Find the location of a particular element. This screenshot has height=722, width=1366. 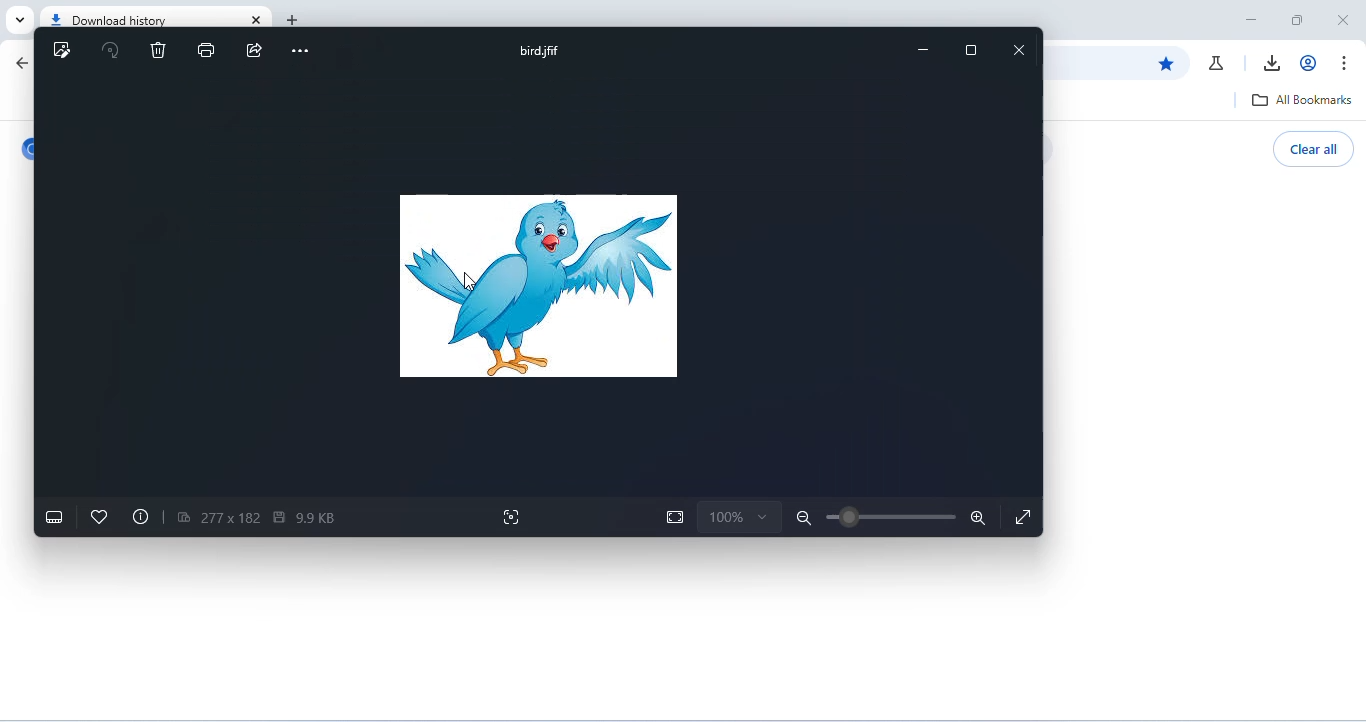

clear all is located at coordinates (1315, 150).